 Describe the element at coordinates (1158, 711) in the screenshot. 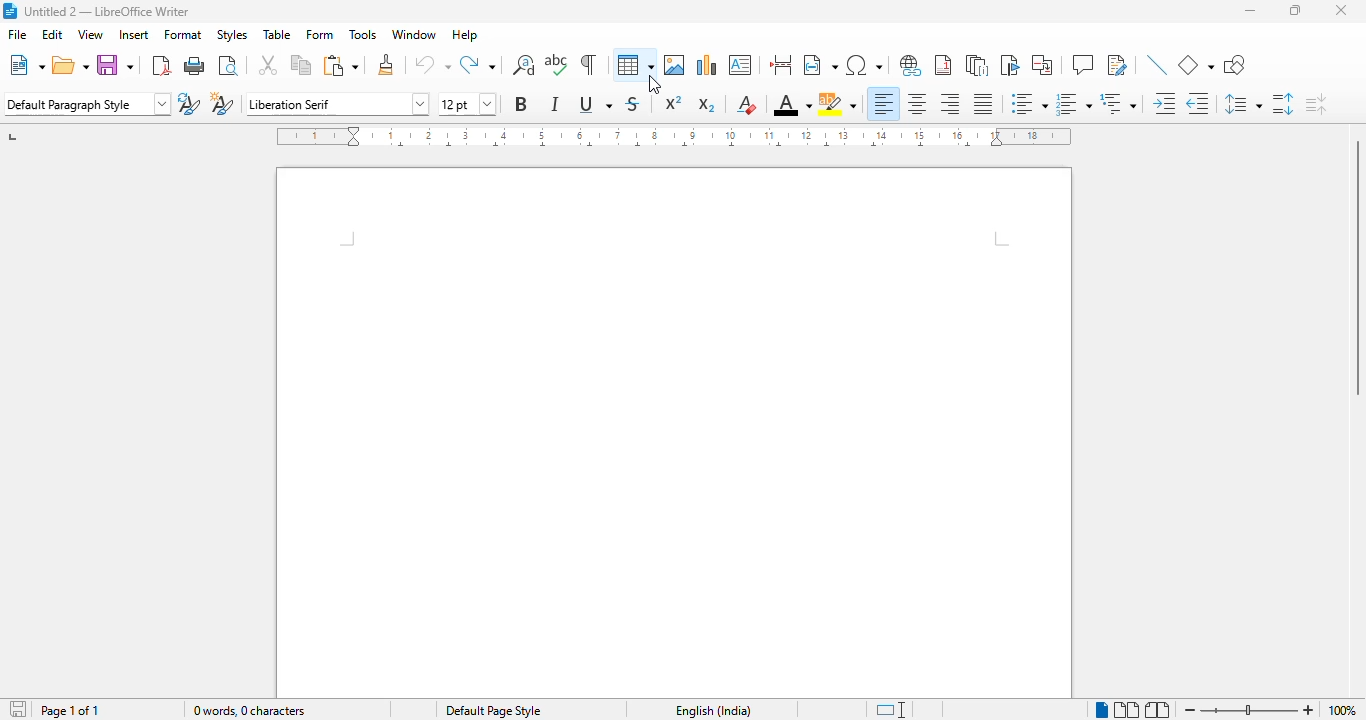

I see `book view` at that location.